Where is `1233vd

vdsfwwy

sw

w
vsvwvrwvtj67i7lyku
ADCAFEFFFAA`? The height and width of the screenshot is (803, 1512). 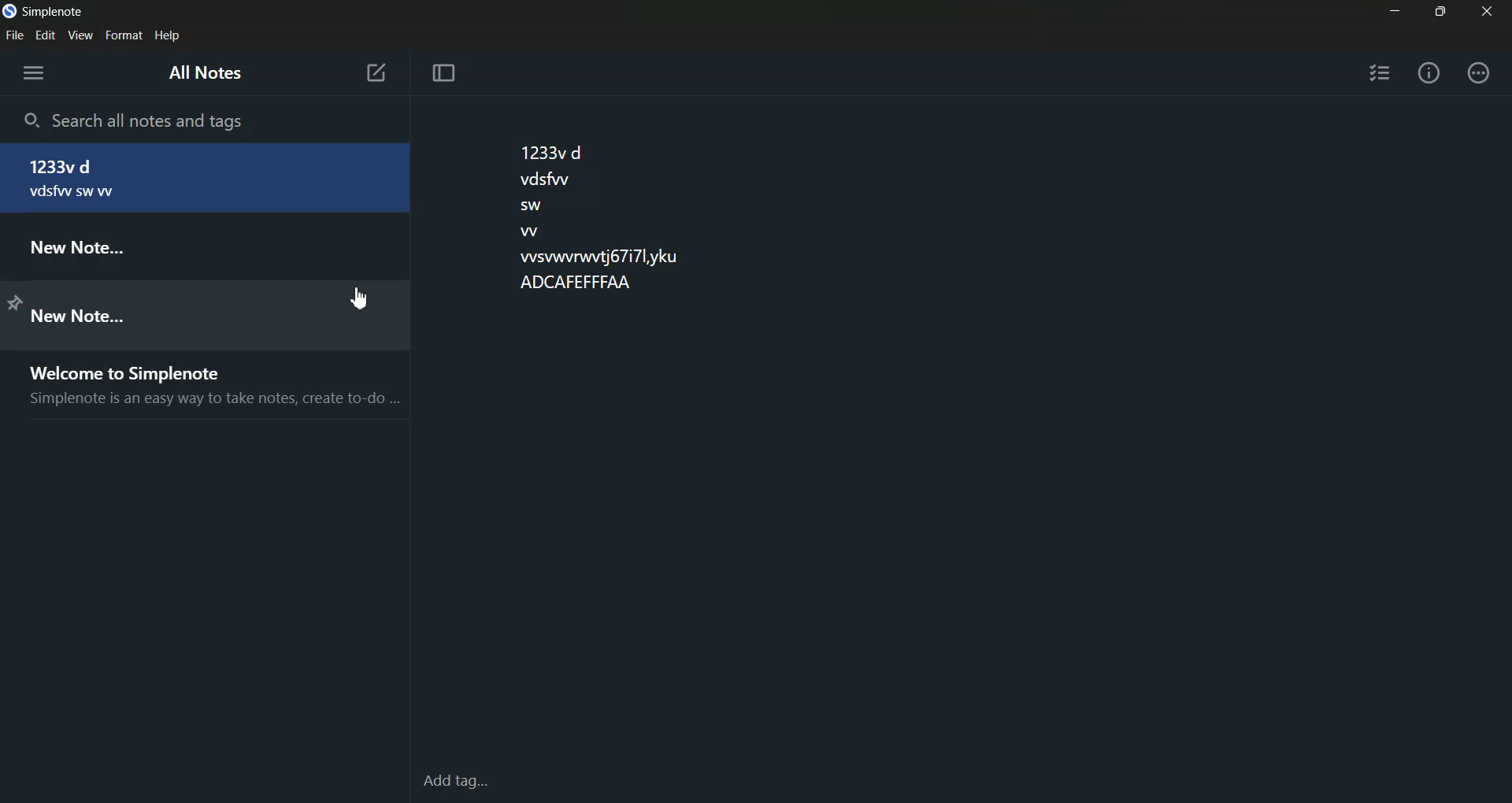
1233vd

vdsfwwy

sw

w
vsvwvrwvtj67i7lyku
ADCAFEFFFAA is located at coordinates (598, 215).